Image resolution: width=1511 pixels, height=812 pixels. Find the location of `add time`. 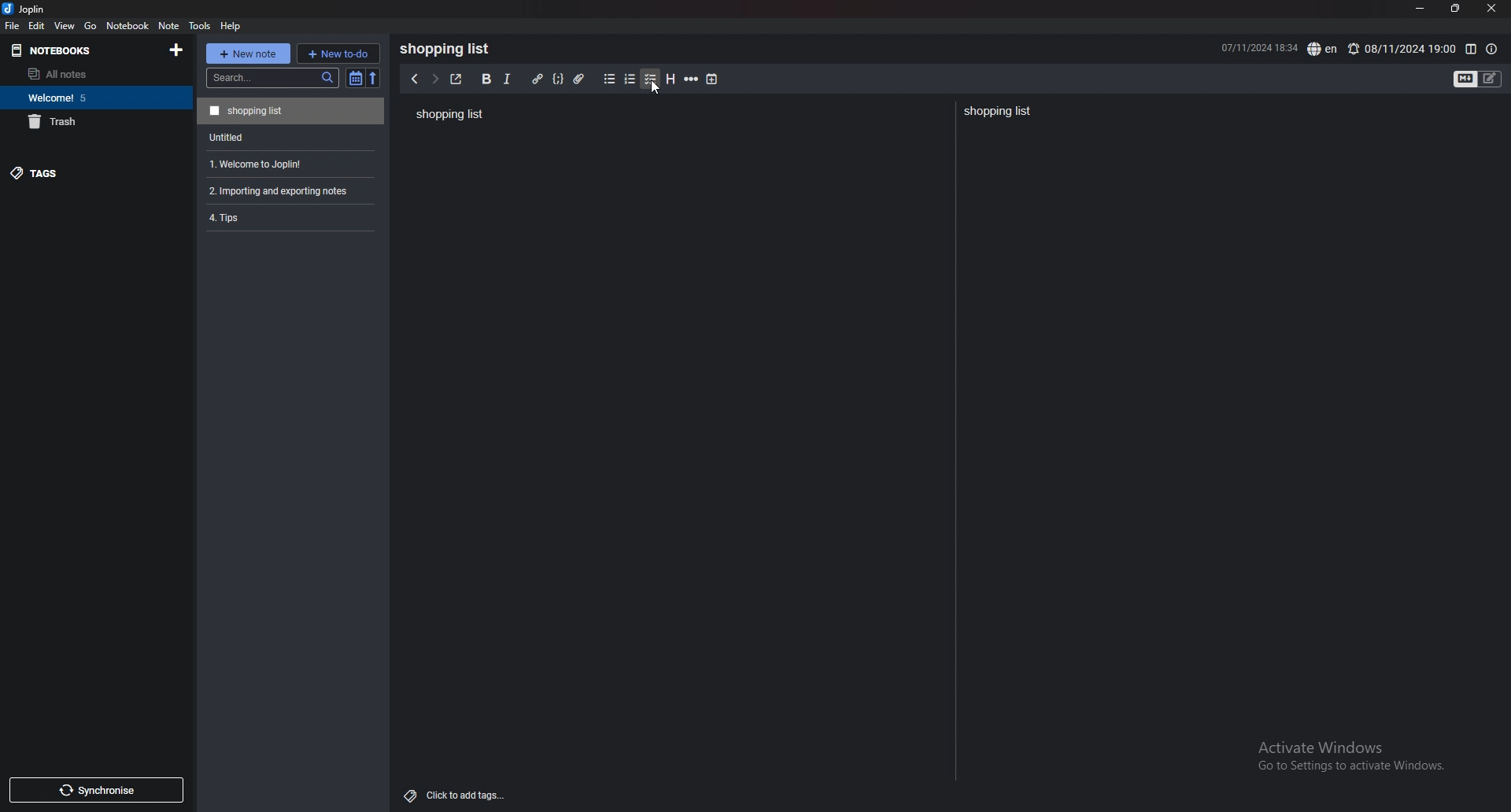

add time is located at coordinates (713, 79).